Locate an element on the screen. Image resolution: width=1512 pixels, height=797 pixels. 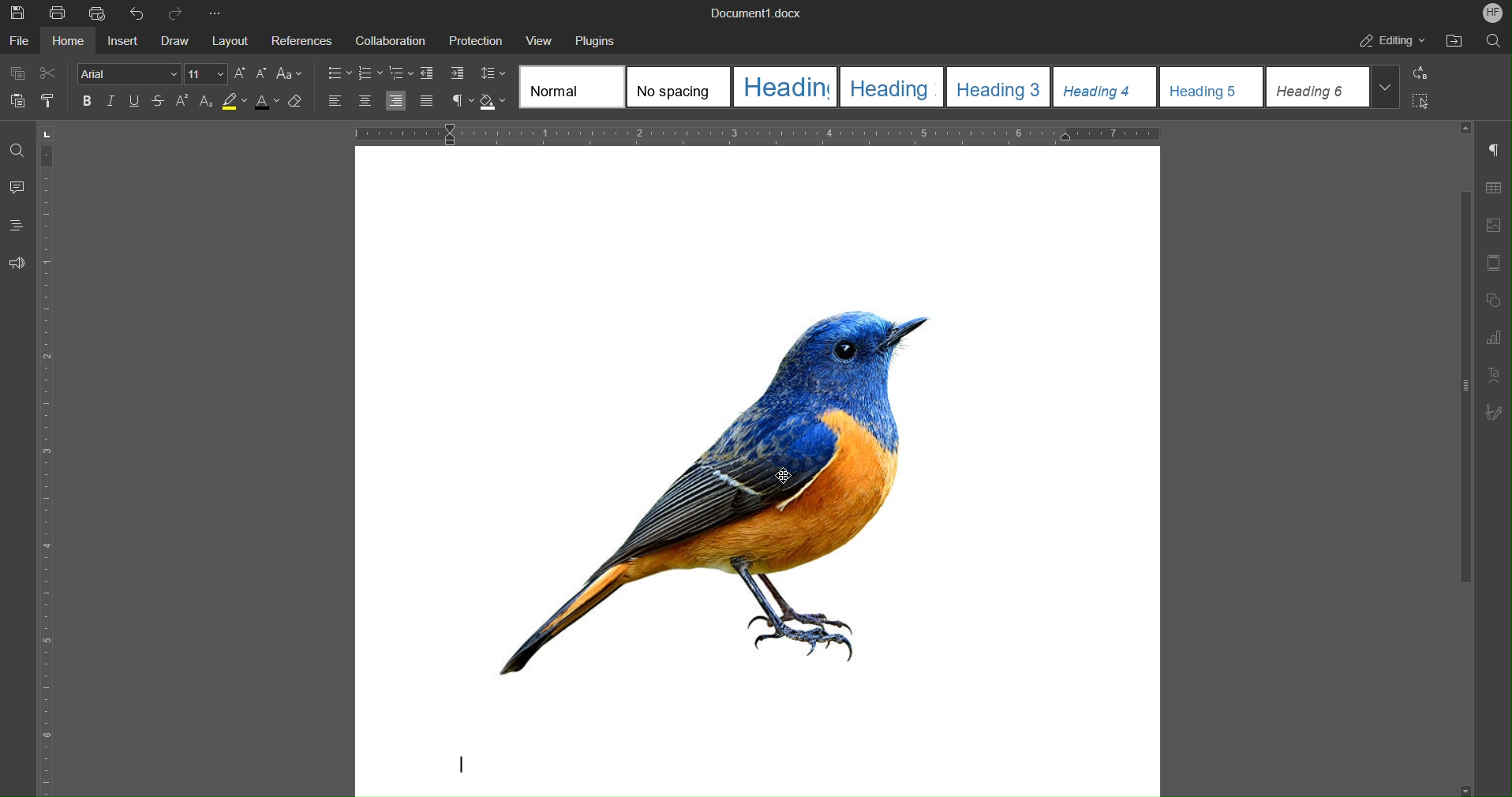
Increase Font Size is located at coordinates (240, 73).